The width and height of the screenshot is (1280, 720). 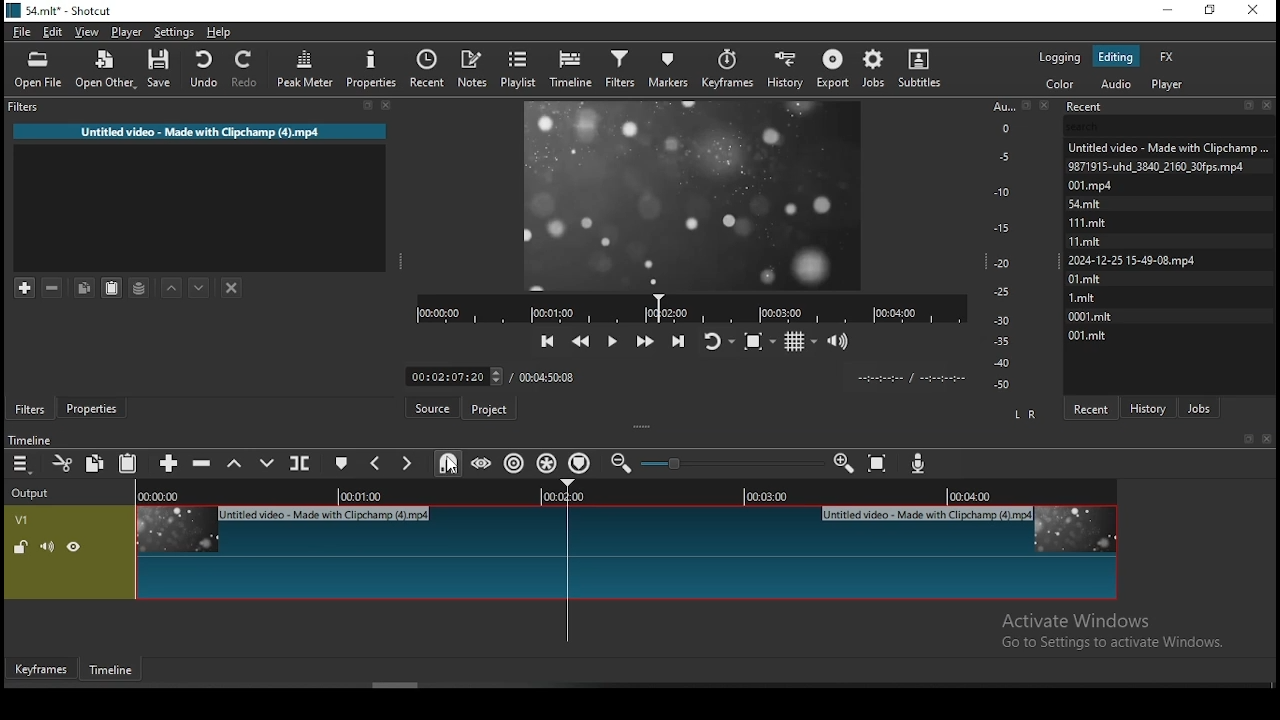 What do you see at coordinates (621, 63) in the screenshot?
I see `filters` at bounding box center [621, 63].